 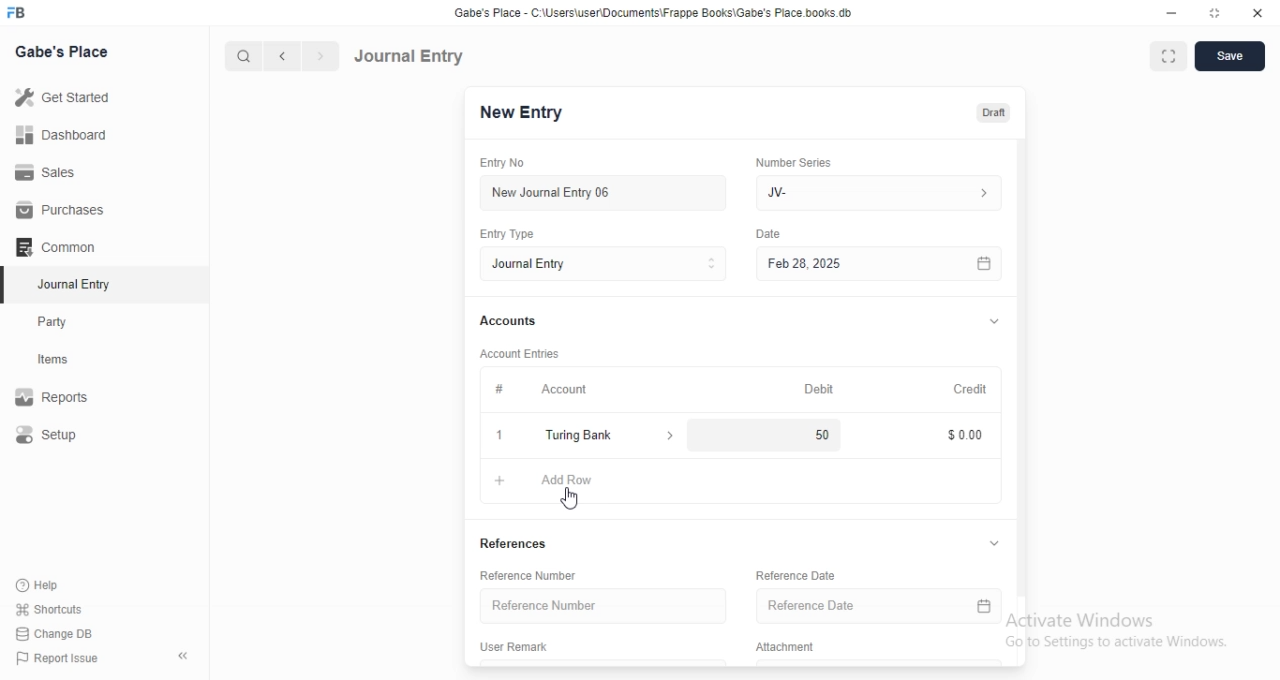 I want to click on ‘Account Entries., so click(x=528, y=352).